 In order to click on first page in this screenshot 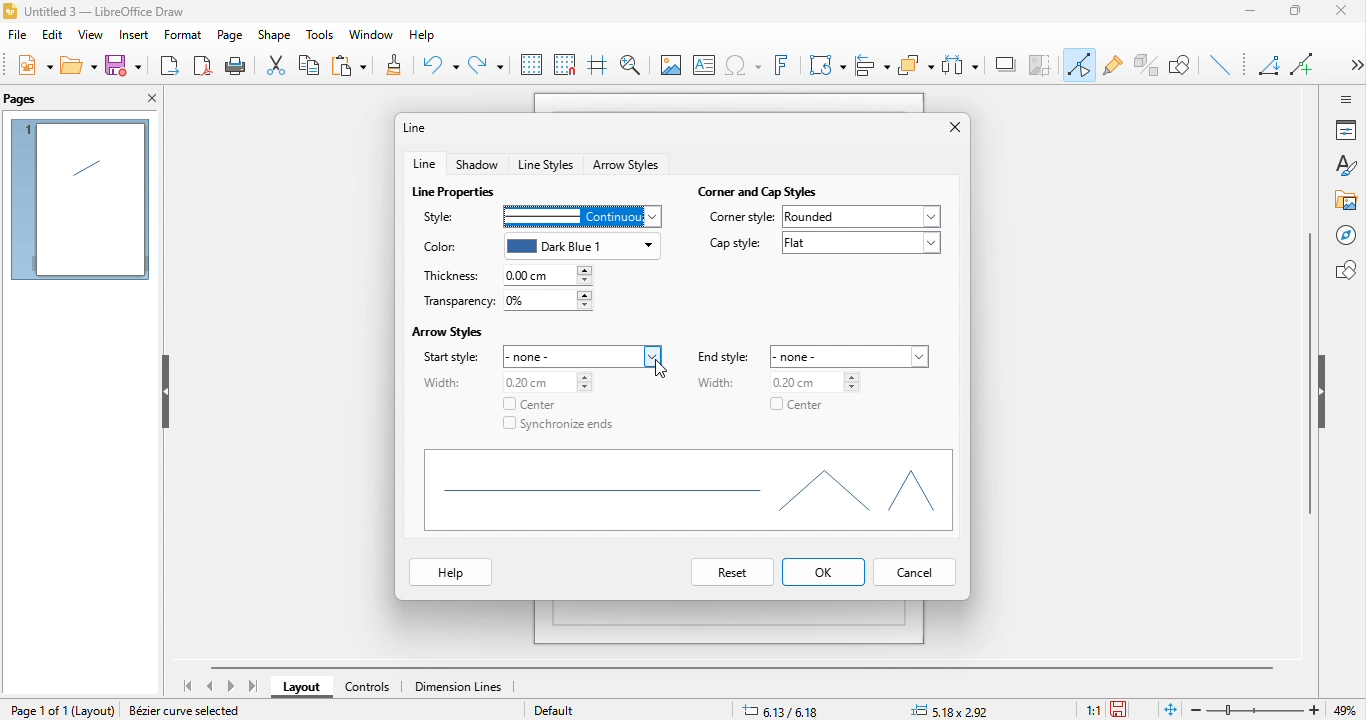, I will do `click(191, 686)`.